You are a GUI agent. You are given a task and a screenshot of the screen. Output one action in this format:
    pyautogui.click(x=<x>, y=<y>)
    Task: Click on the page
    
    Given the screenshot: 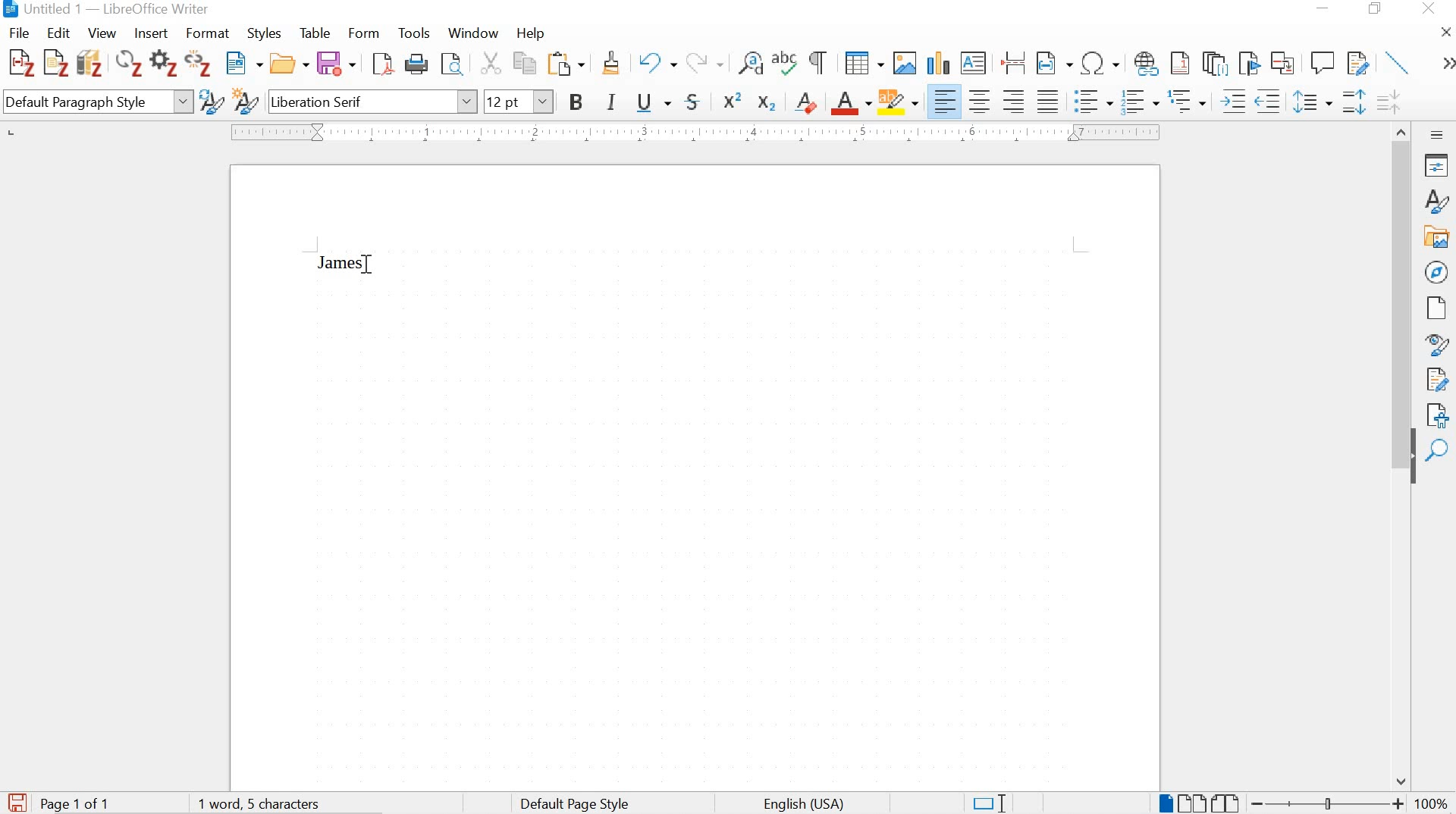 What is the action you would take?
    pyautogui.click(x=1439, y=308)
    